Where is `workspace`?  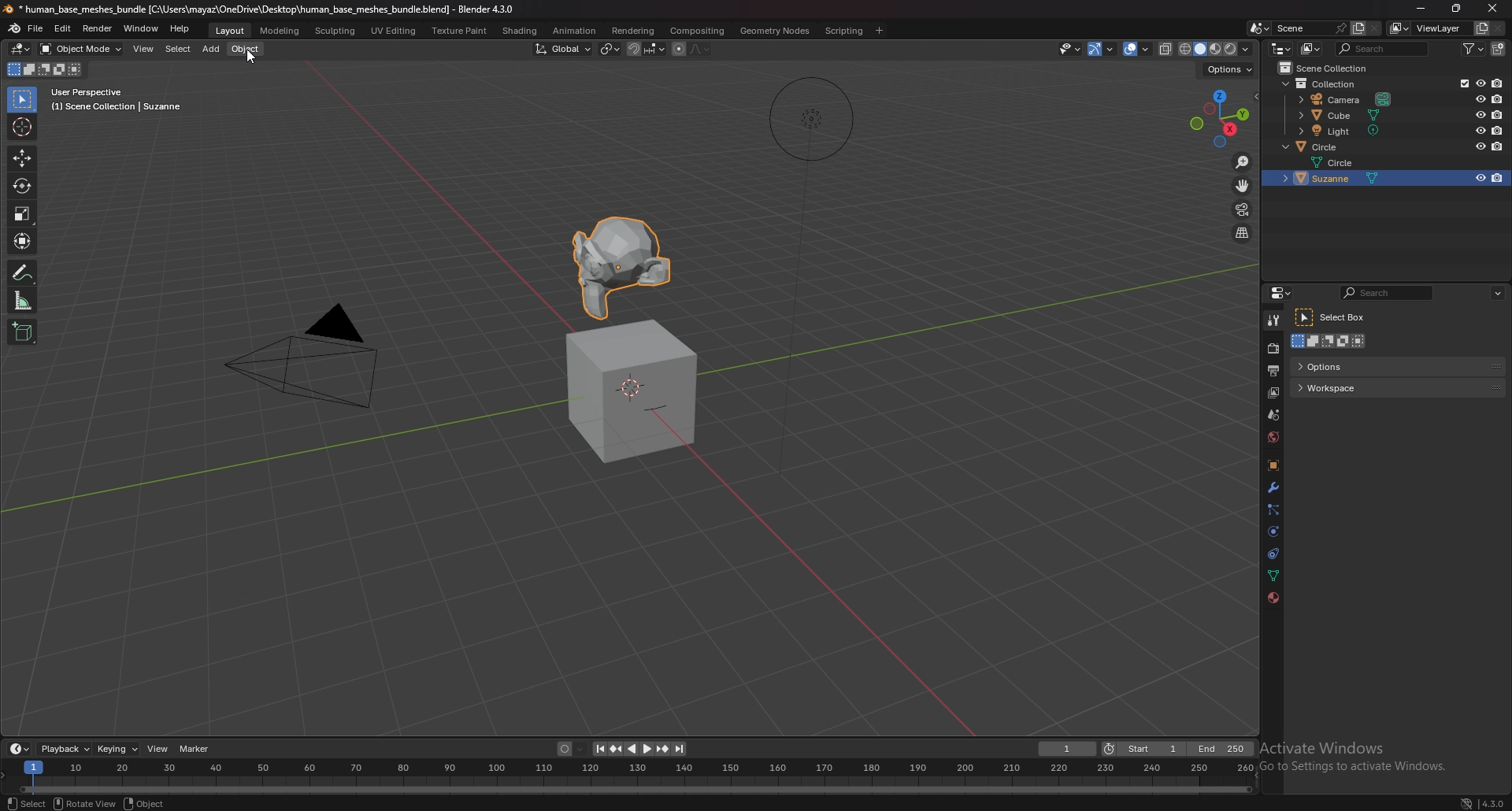
workspace is located at coordinates (1347, 388).